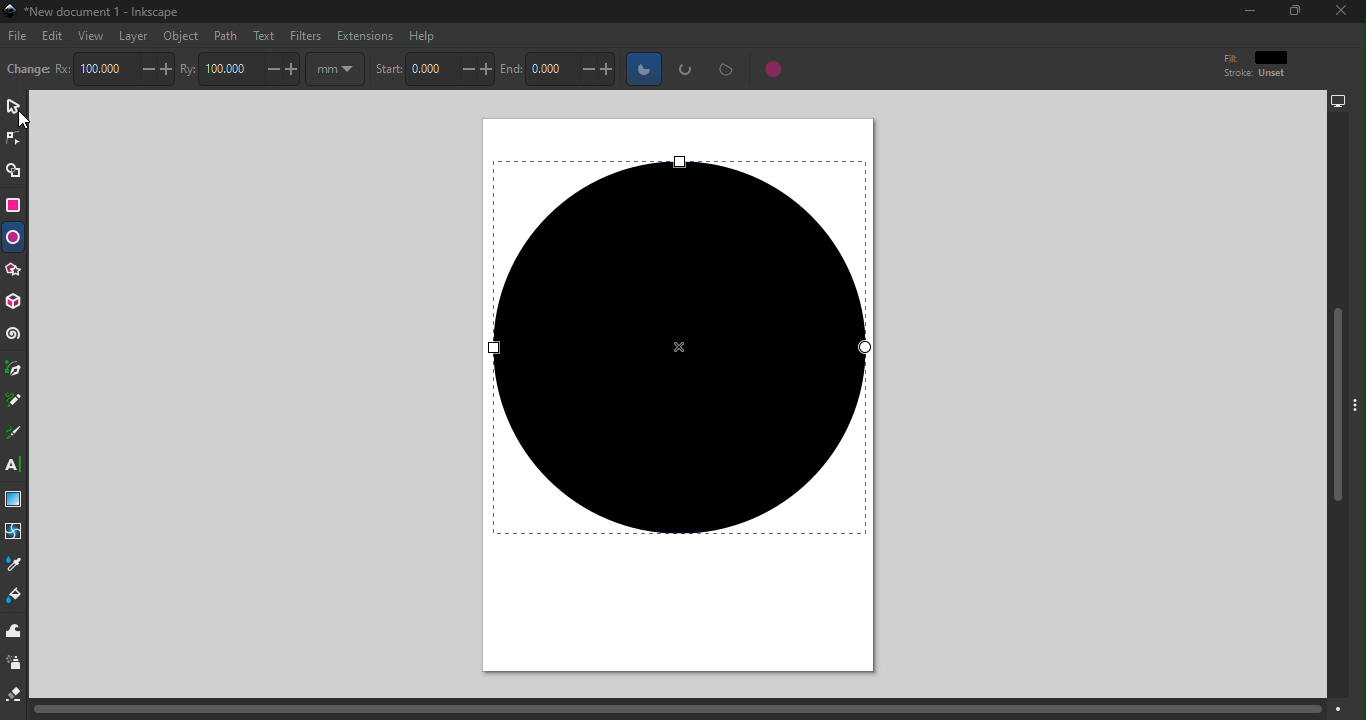  I want to click on Switch to chord (closed shape), so click(723, 71).